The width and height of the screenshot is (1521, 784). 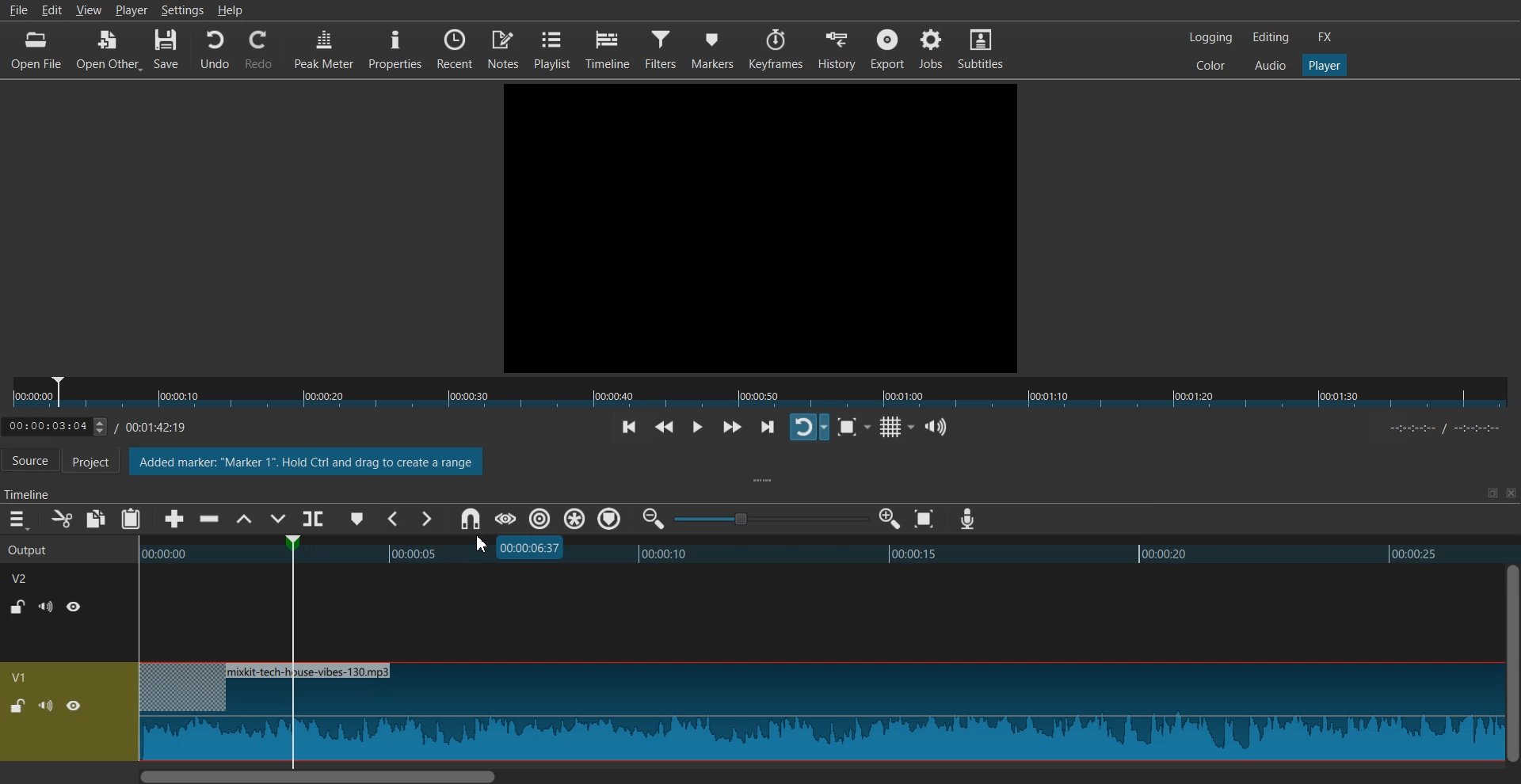 I want to click on File, so click(x=17, y=10).